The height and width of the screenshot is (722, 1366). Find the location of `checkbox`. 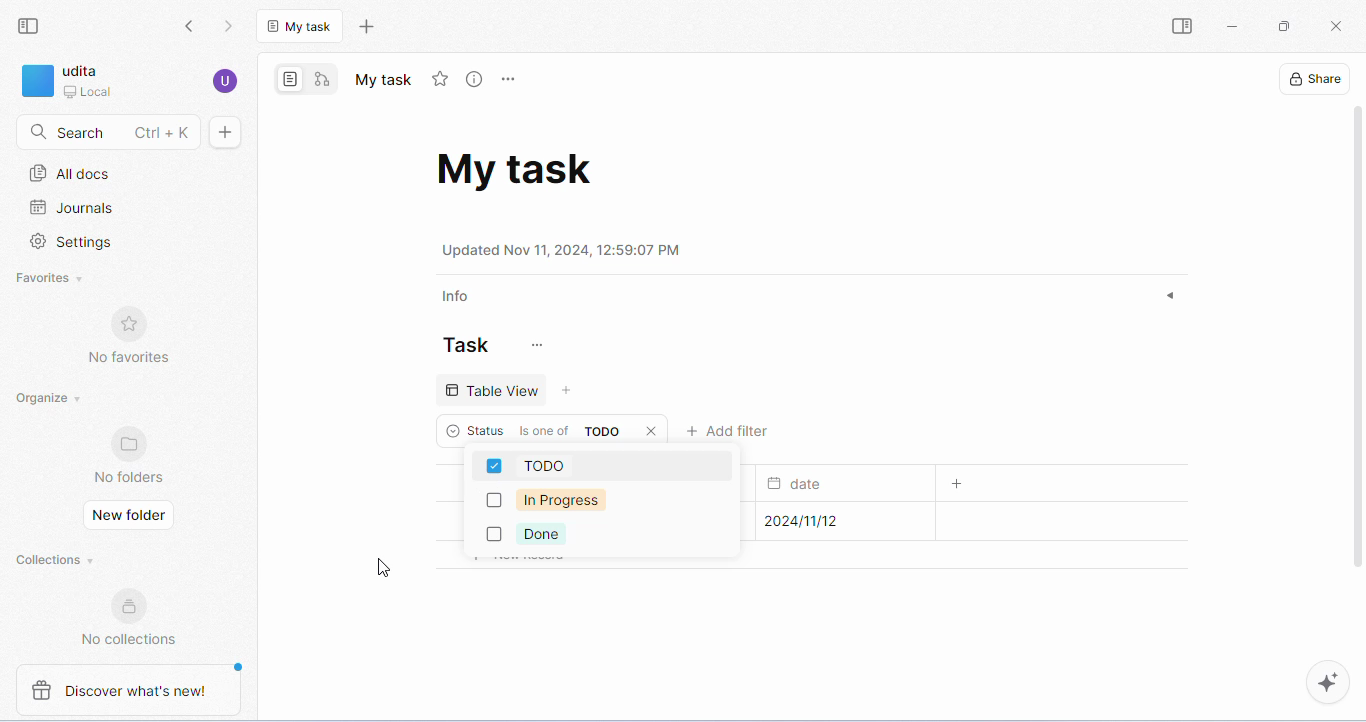

checkbox is located at coordinates (493, 535).